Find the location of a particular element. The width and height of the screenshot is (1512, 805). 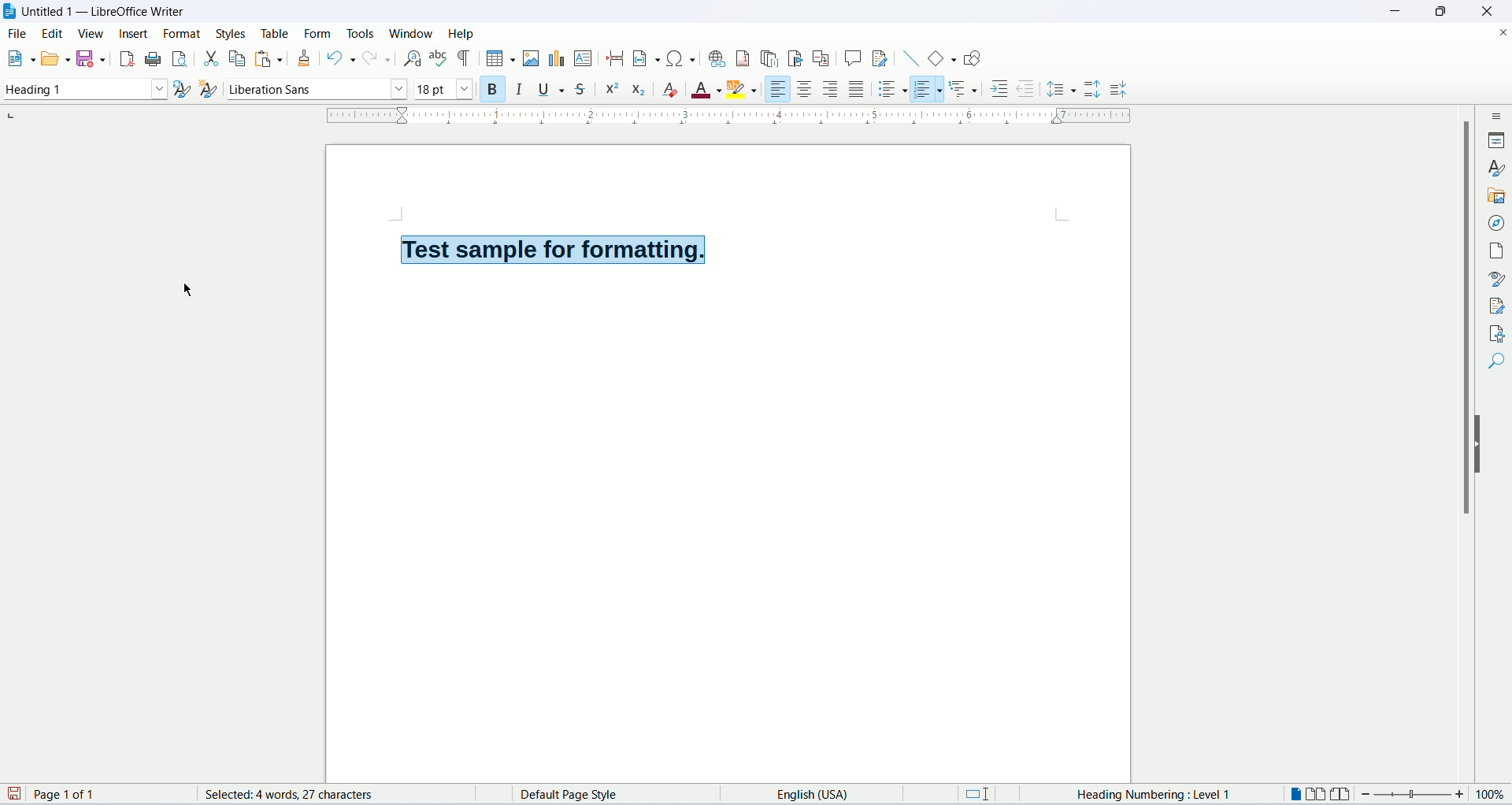

font size is located at coordinates (443, 89).